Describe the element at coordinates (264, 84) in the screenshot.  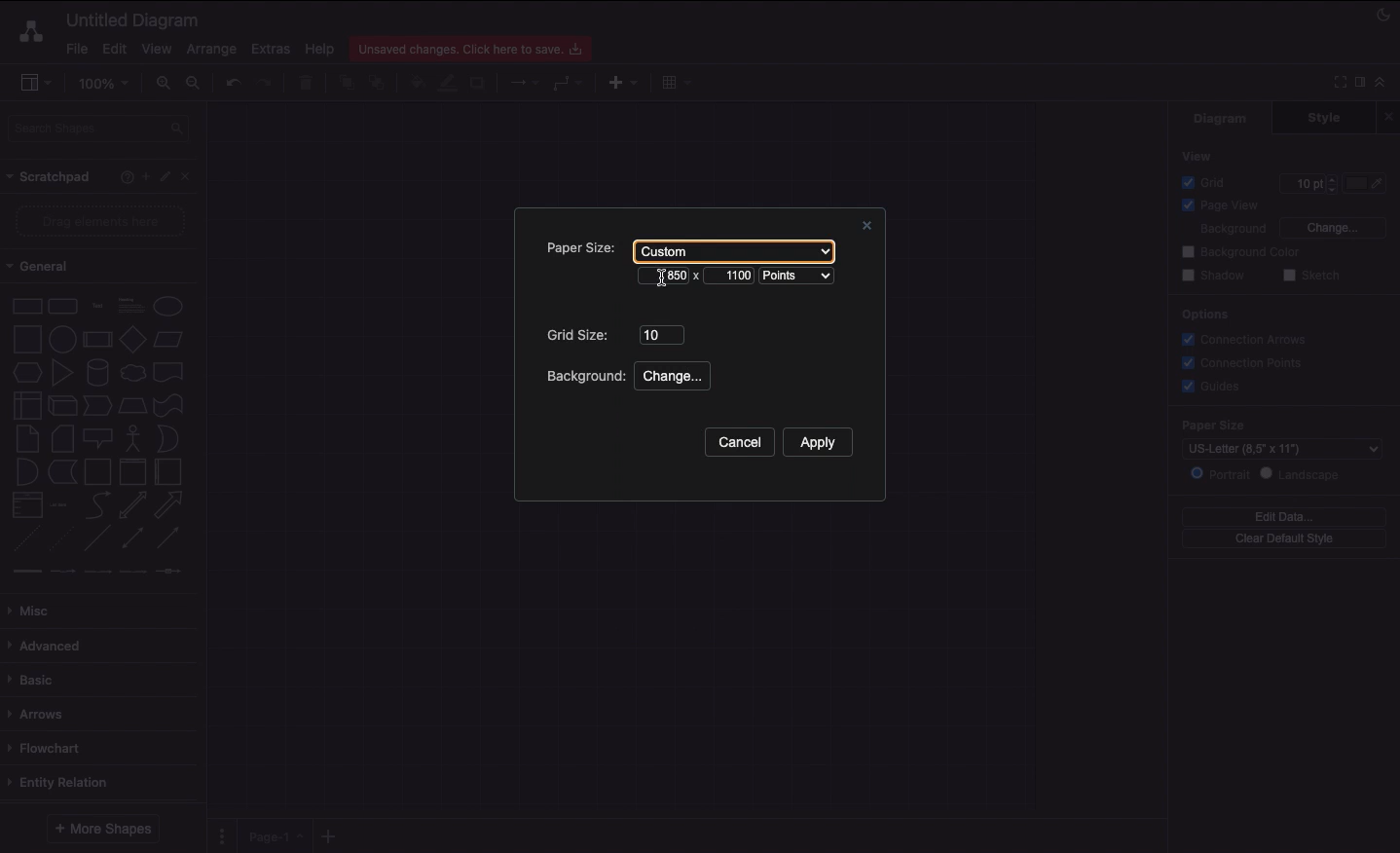
I see `Redo` at that location.